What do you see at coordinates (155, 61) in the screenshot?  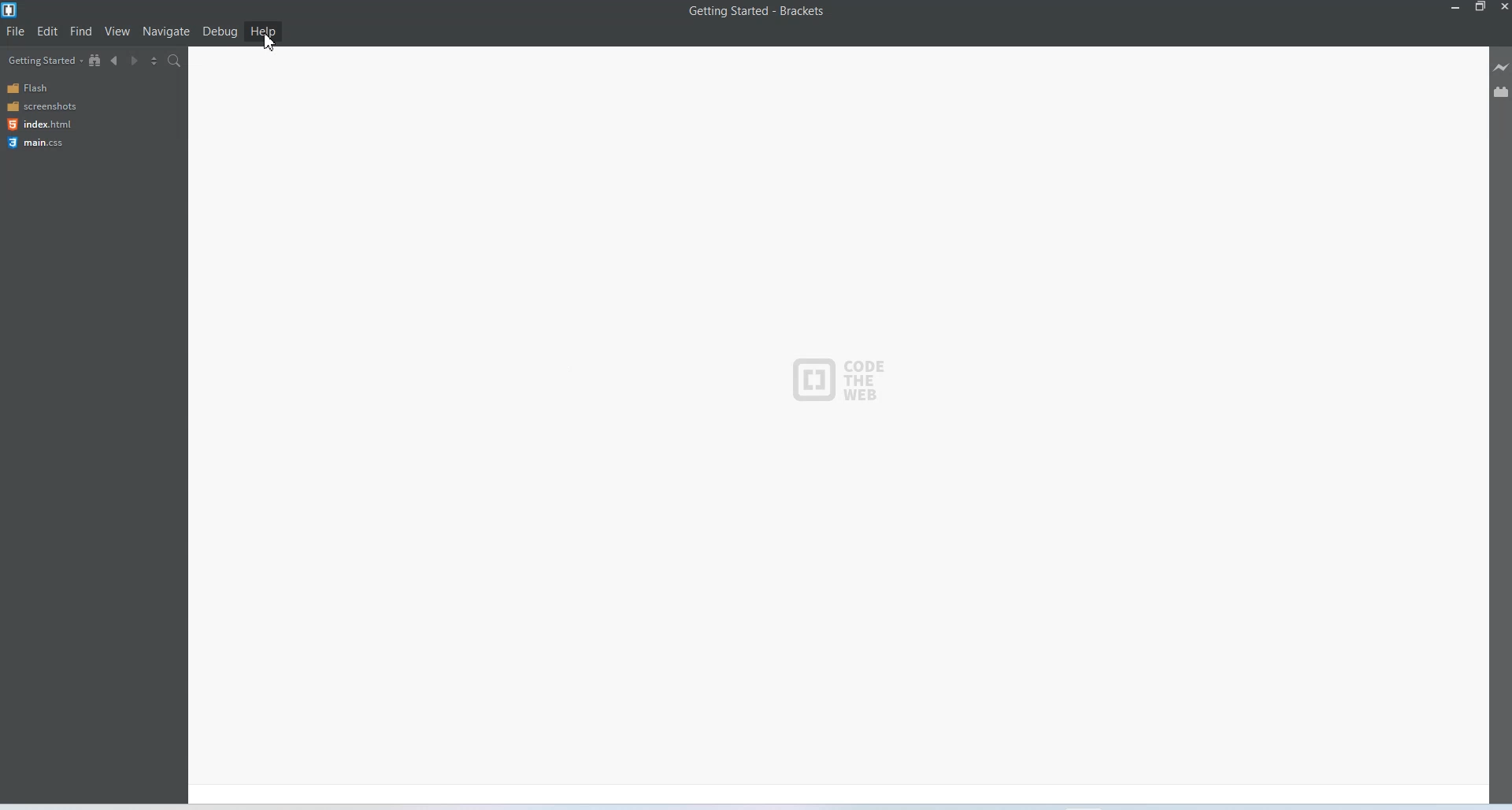 I see `Split editor vertically and horizontally` at bounding box center [155, 61].